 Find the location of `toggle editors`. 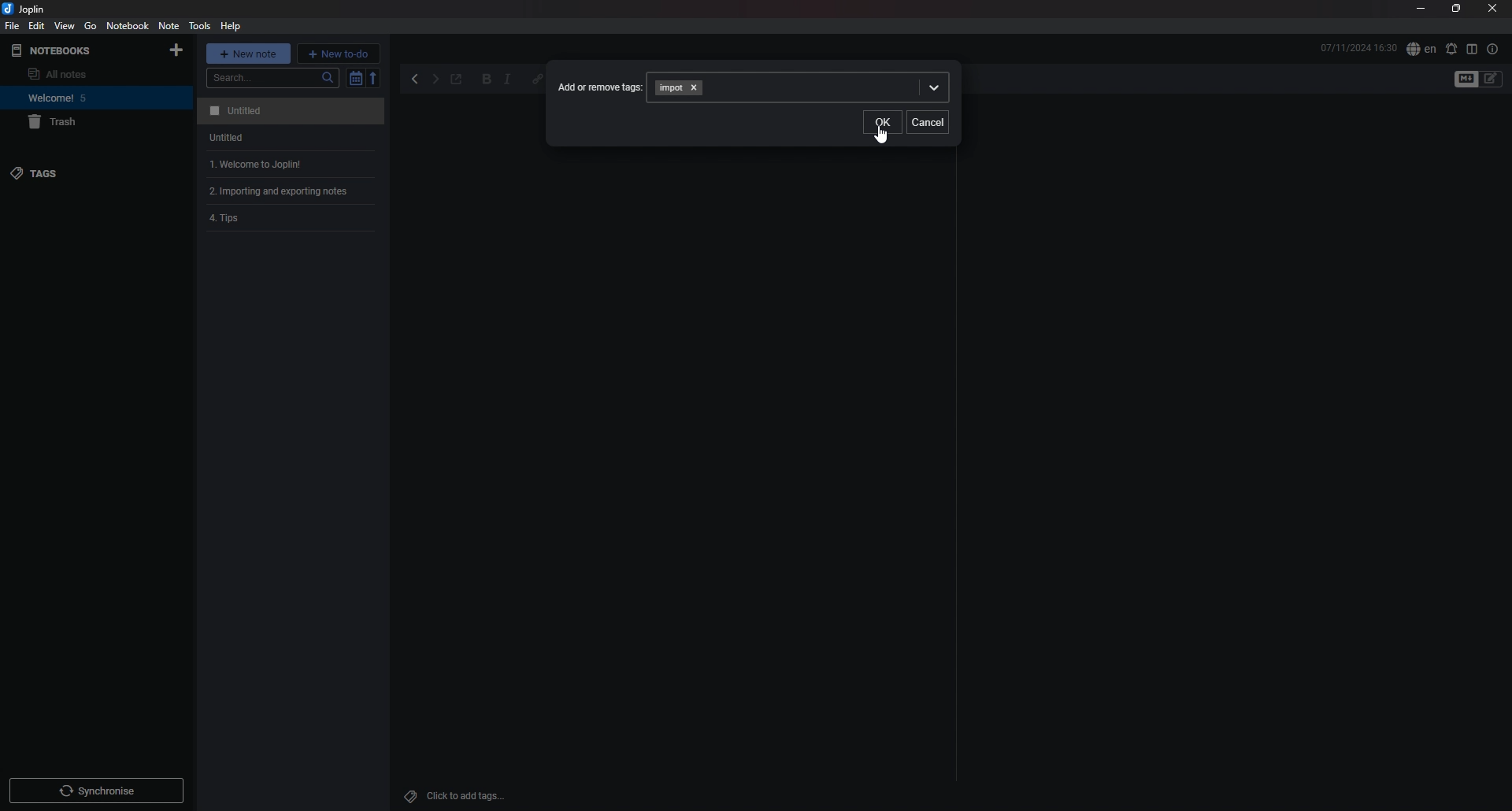

toggle editors is located at coordinates (1492, 79).